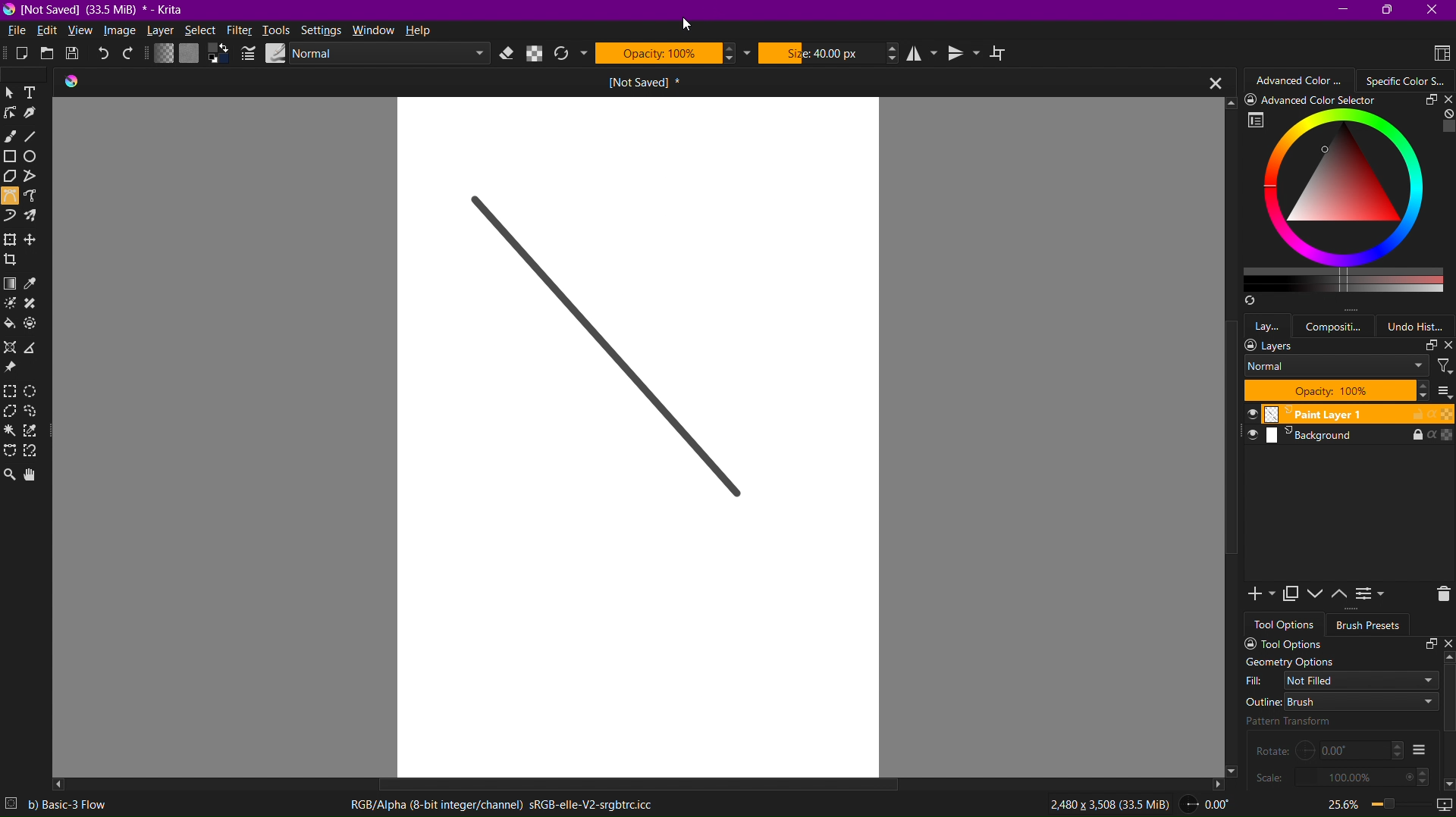 The image size is (1456, 817). Describe the element at coordinates (35, 348) in the screenshot. I see `Measure the distance between two points` at that location.